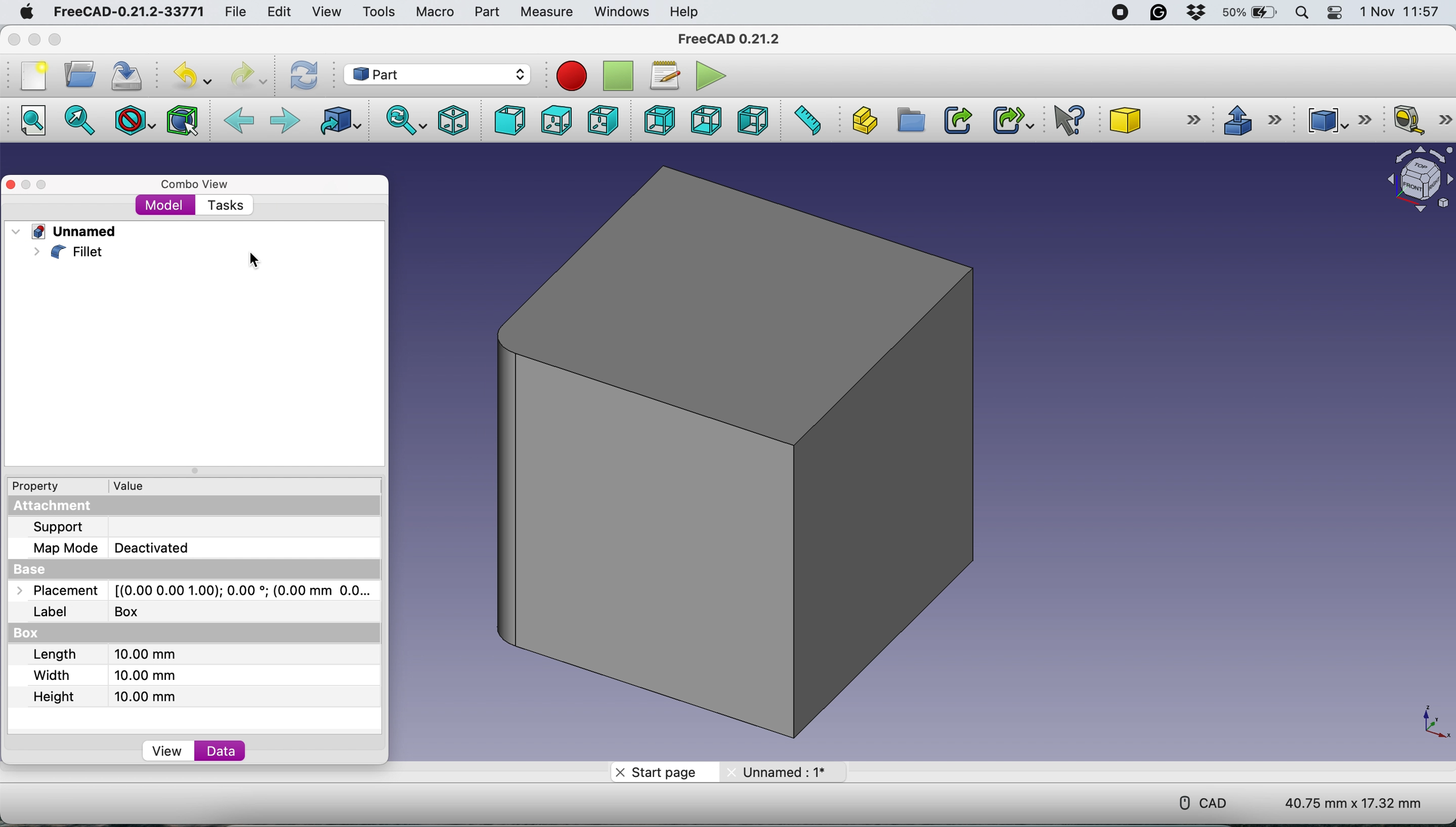 This screenshot has height=827, width=1456. What do you see at coordinates (402, 121) in the screenshot?
I see `sync view` at bounding box center [402, 121].